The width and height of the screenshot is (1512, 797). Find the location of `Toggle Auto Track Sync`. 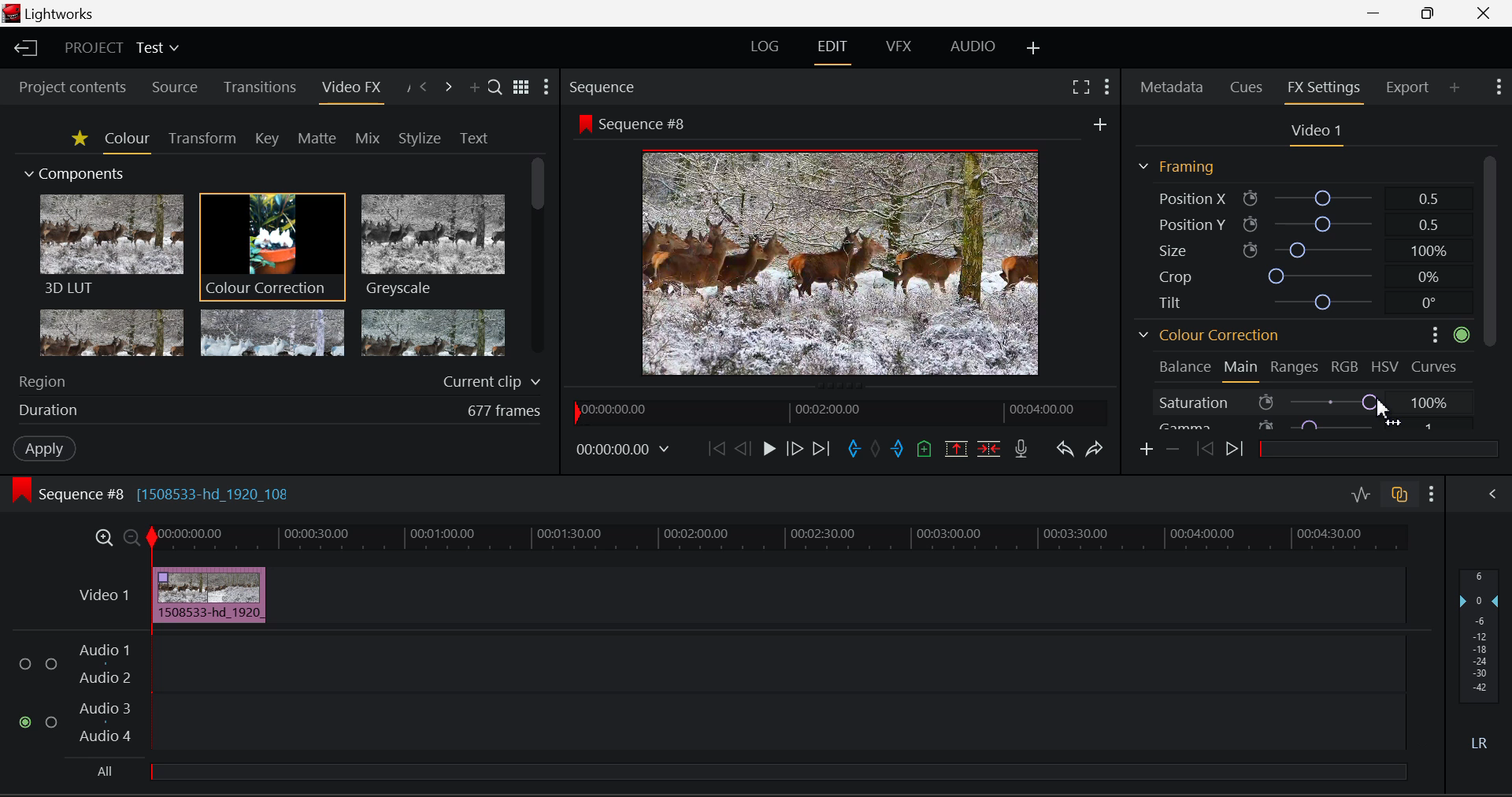

Toggle Auto Track Sync is located at coordinates (1399, 496).